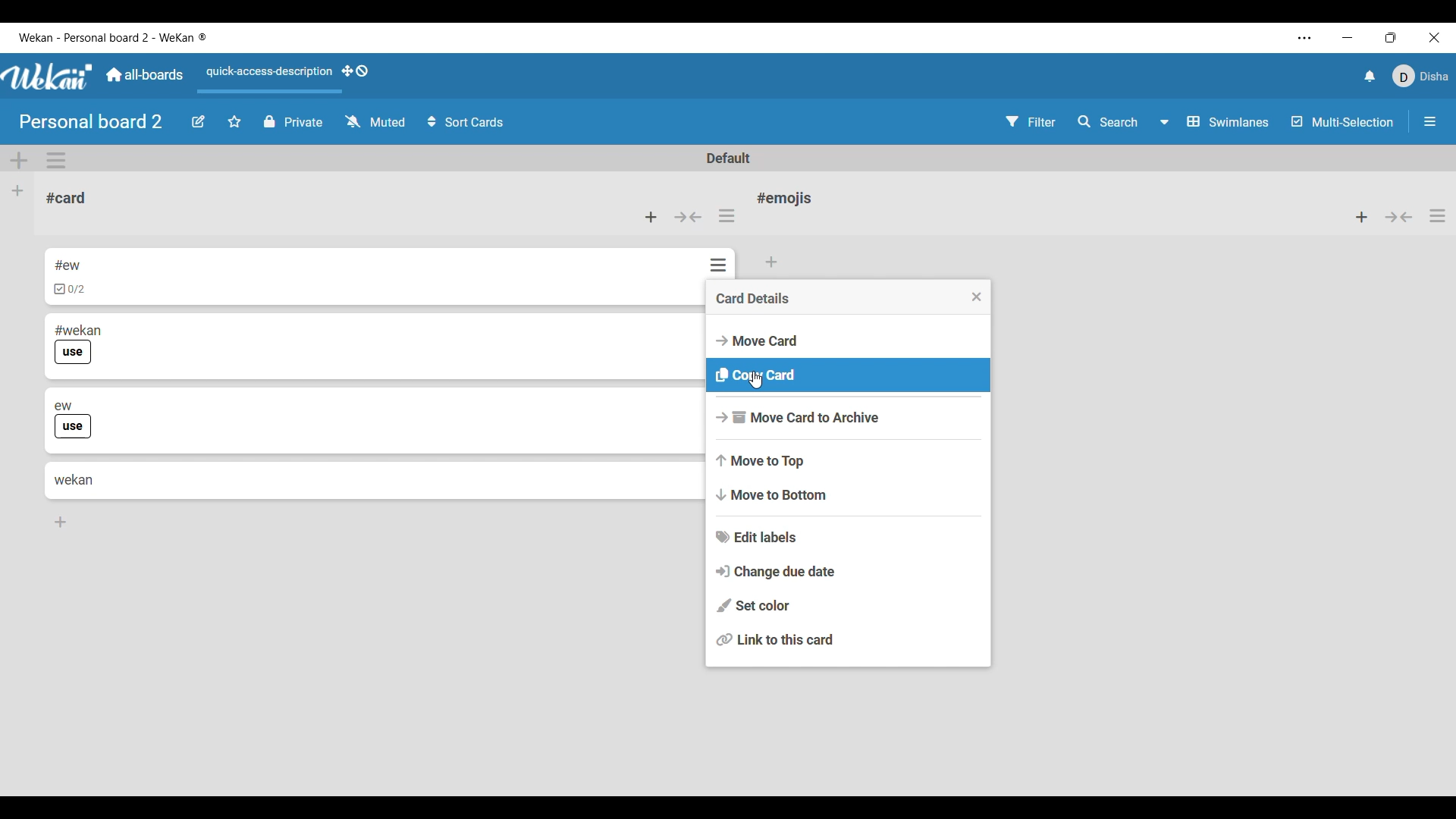 The image size is (1456, 819). Describe the element at coordinates (61, 522) in the screenshot. I see `Add card to bottom of list` at that location.